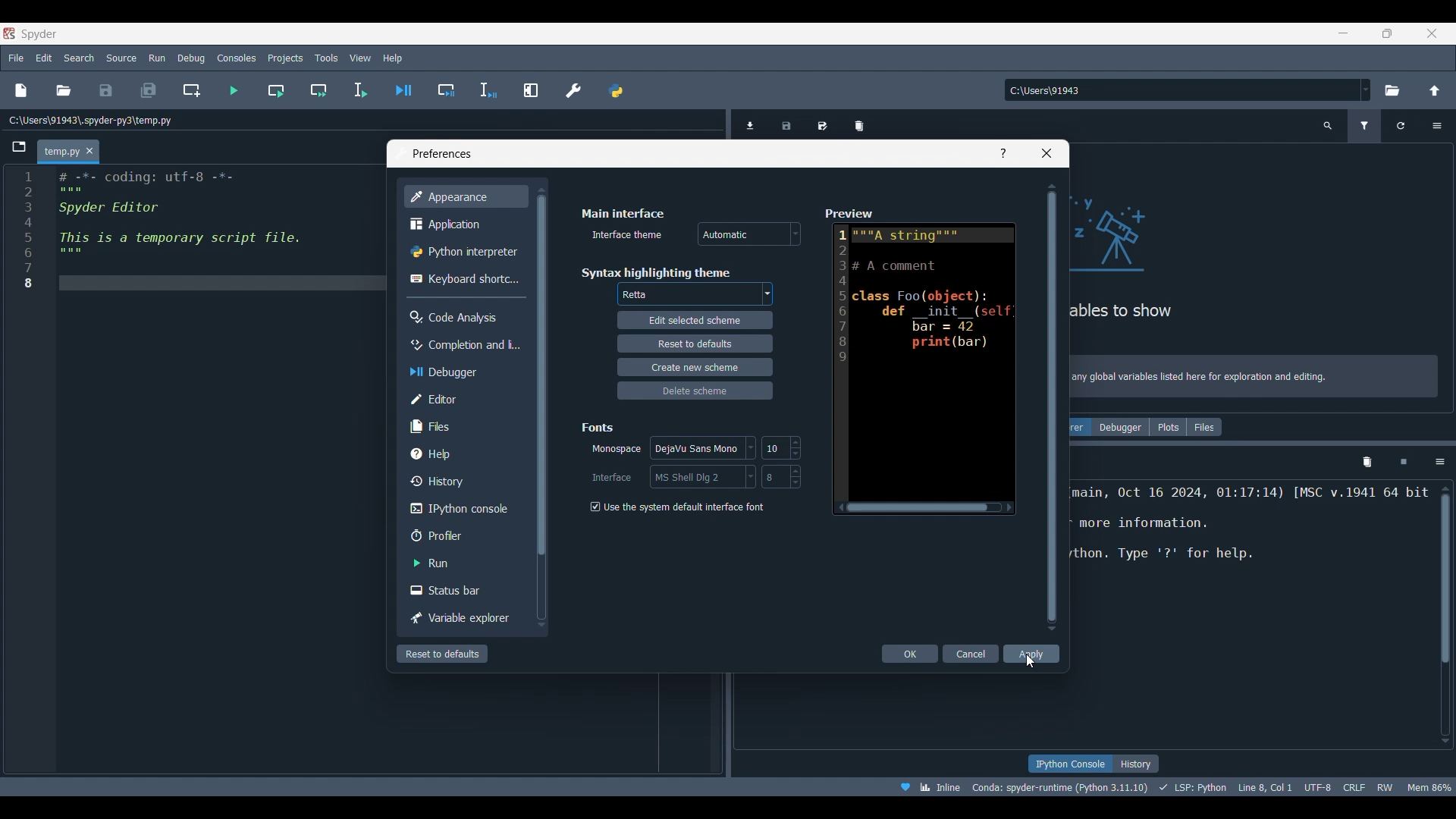 The width and height of the screenshot is (1456, 819). I want to click on Section title, so click(655, 272).